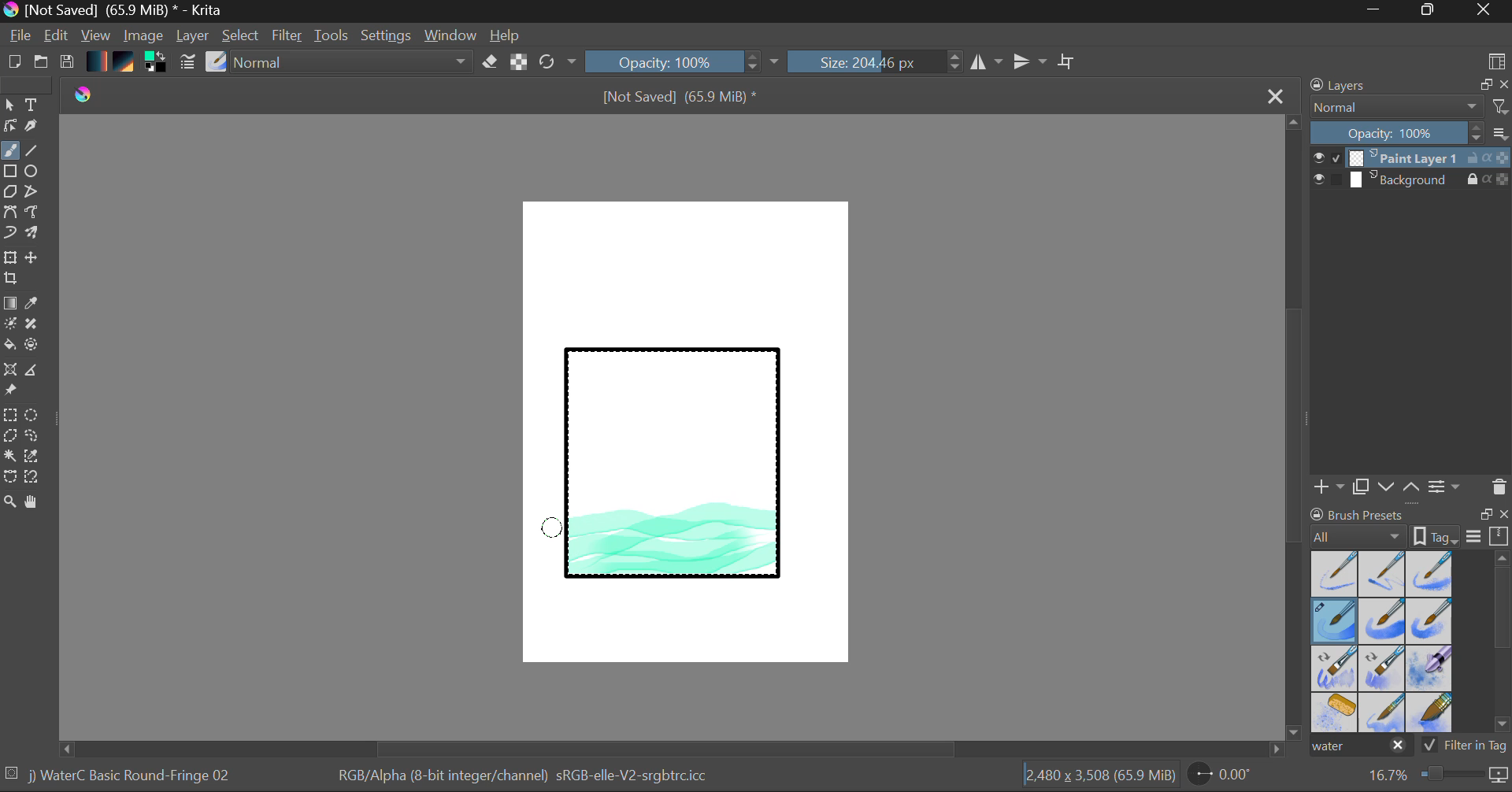 The image size is (1512, 792). Describe the element at coordinates (680, 98) in the screenshot. I see `File Name & Size` at that location.